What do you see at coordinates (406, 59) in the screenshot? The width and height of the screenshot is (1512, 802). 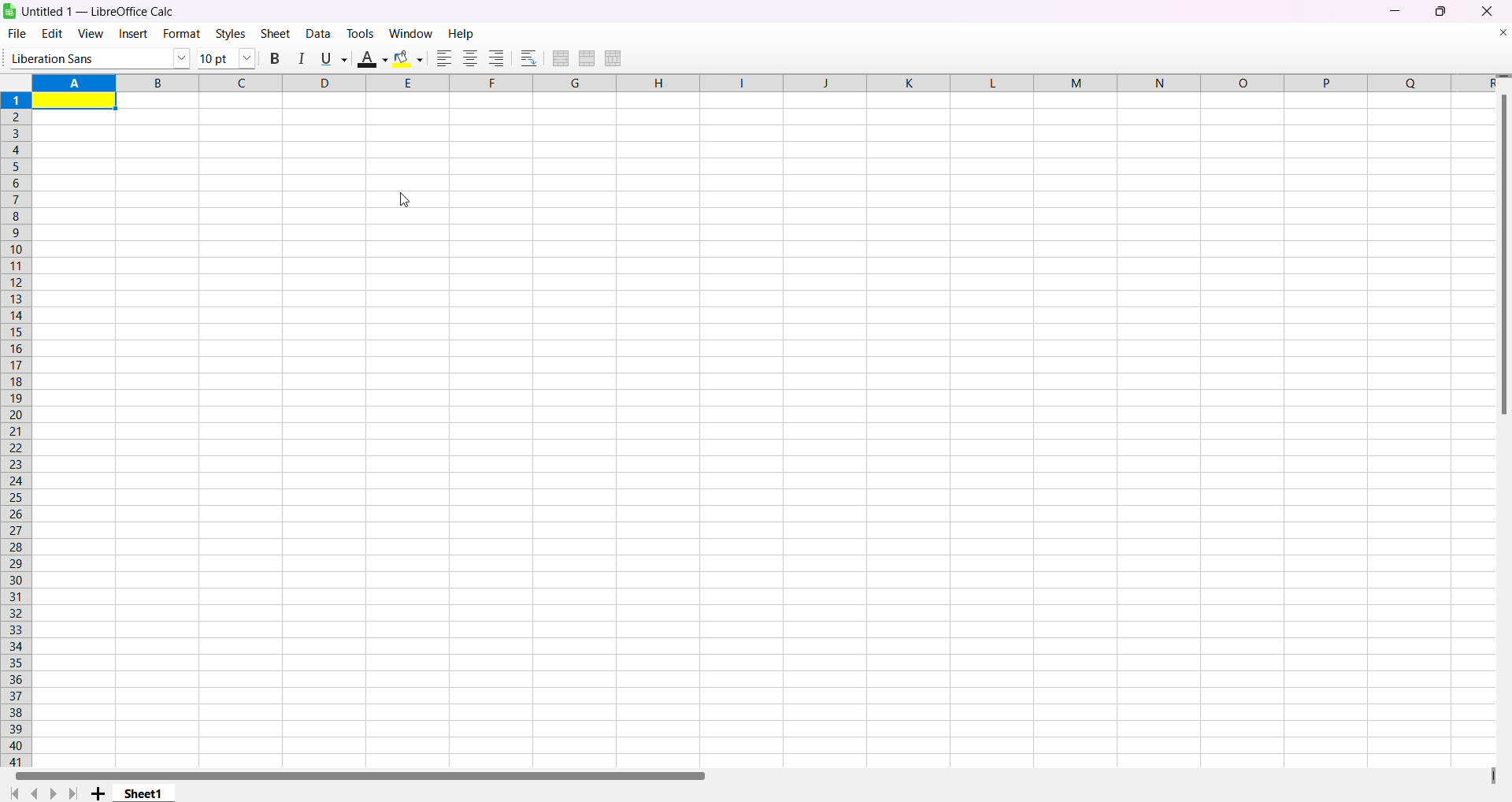 I see `background color` at bounding box center [406, 59].